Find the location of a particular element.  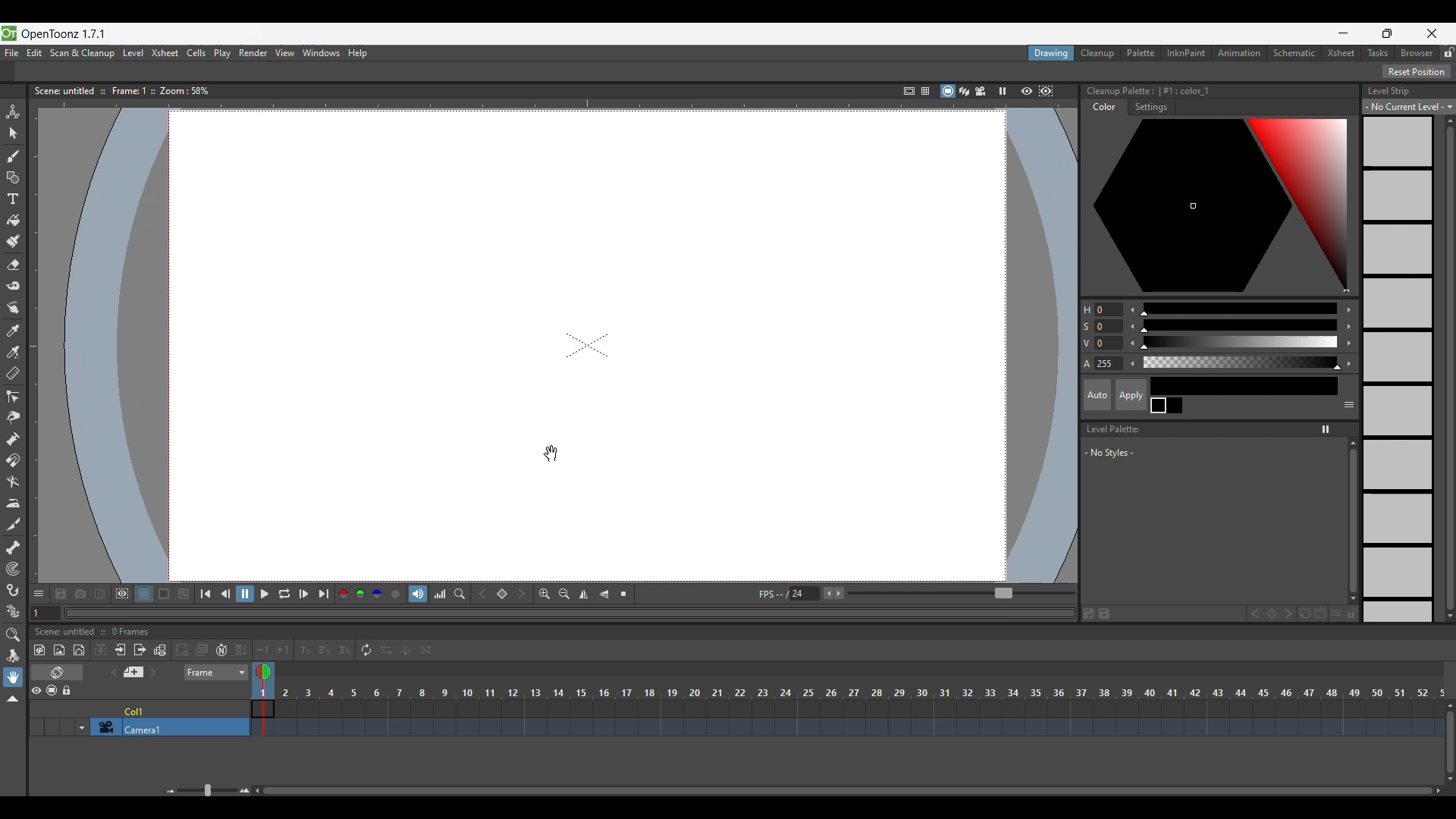

New toonz raster level is located at coordinates (39, 650).